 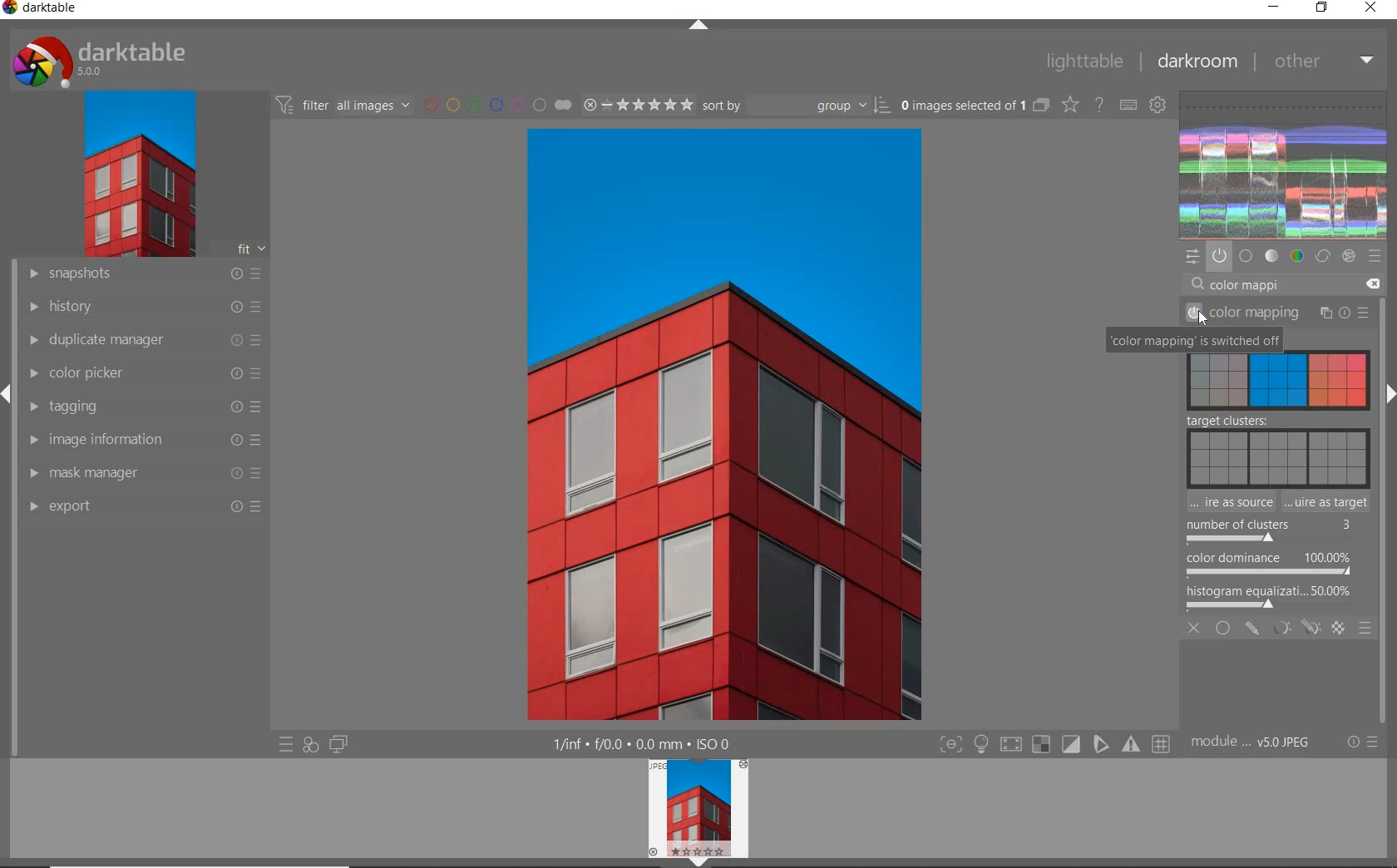 I want to click on preset, so click(x=1375, y=257).